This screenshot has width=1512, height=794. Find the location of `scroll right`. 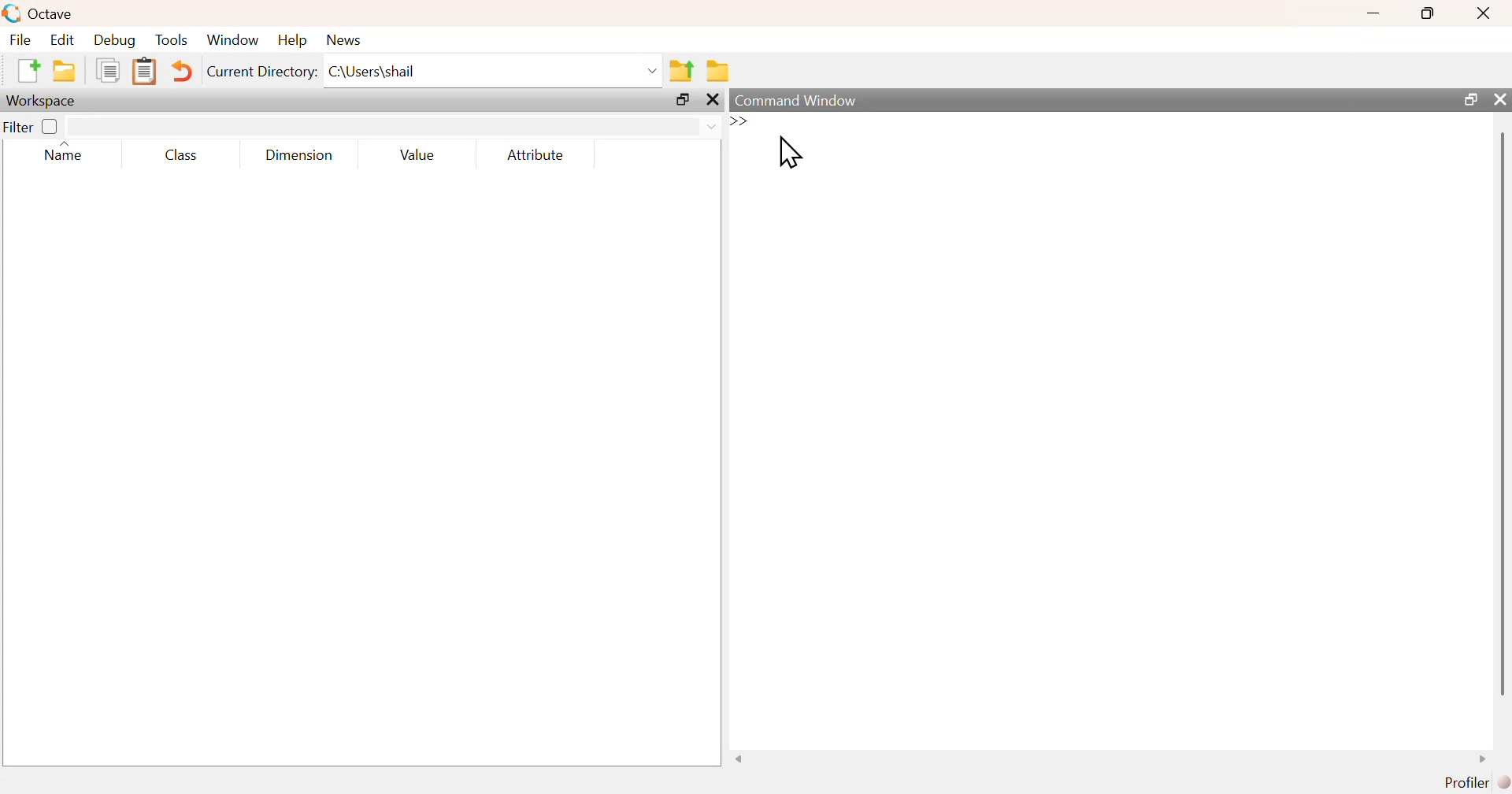

scroll right is located at coordinates (1484, 759).